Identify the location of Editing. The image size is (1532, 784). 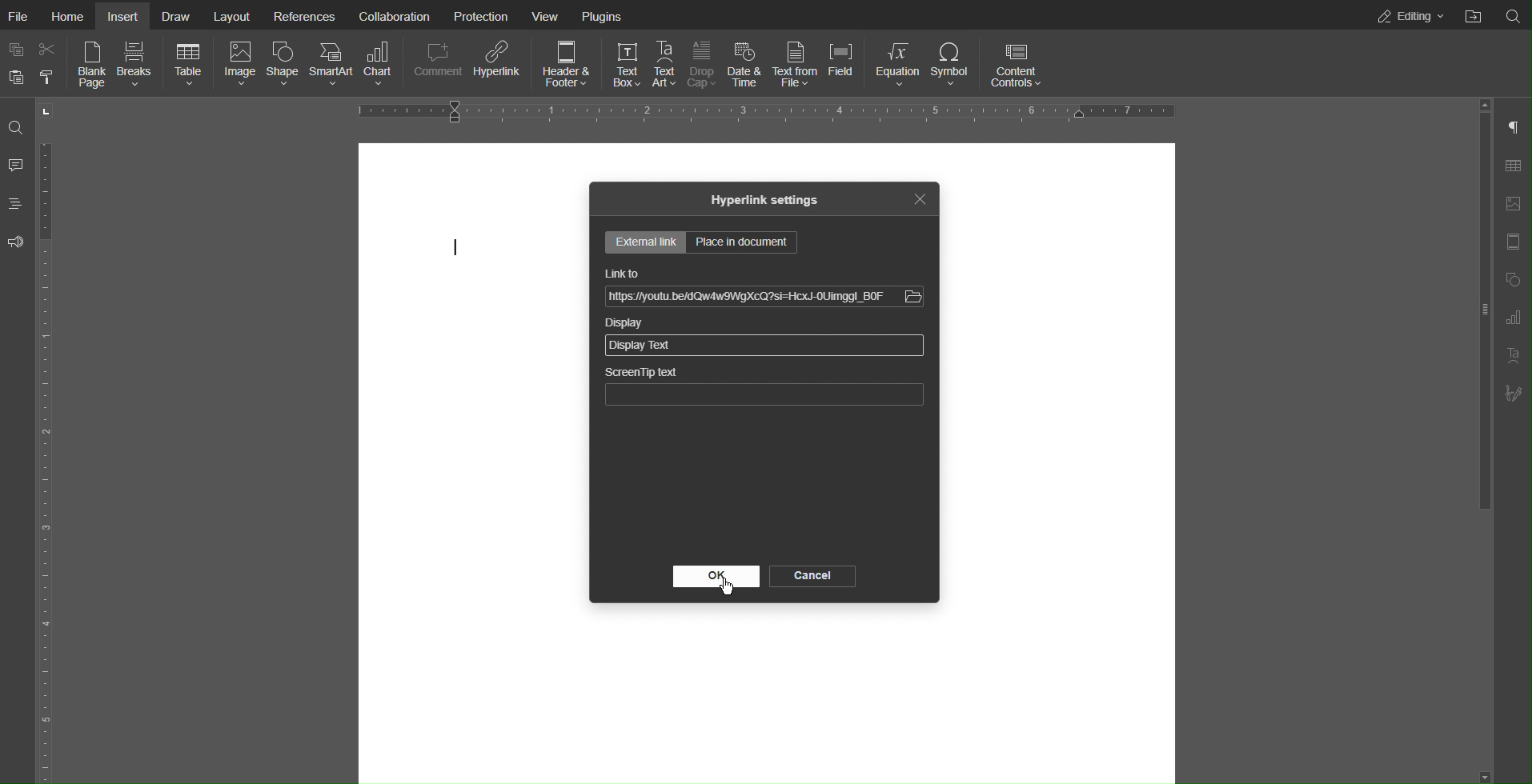
(1409, 16).